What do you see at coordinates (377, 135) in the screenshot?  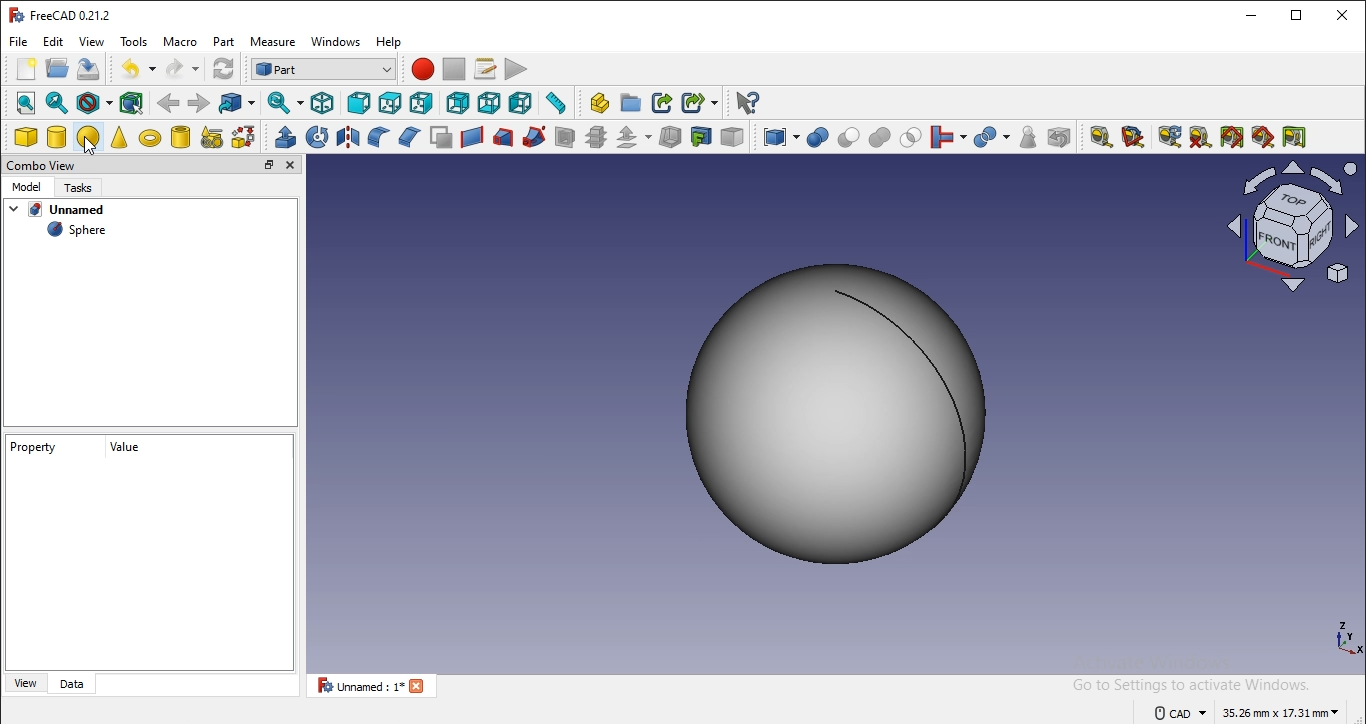 I see `fillet` at bounding box center [377, 135].